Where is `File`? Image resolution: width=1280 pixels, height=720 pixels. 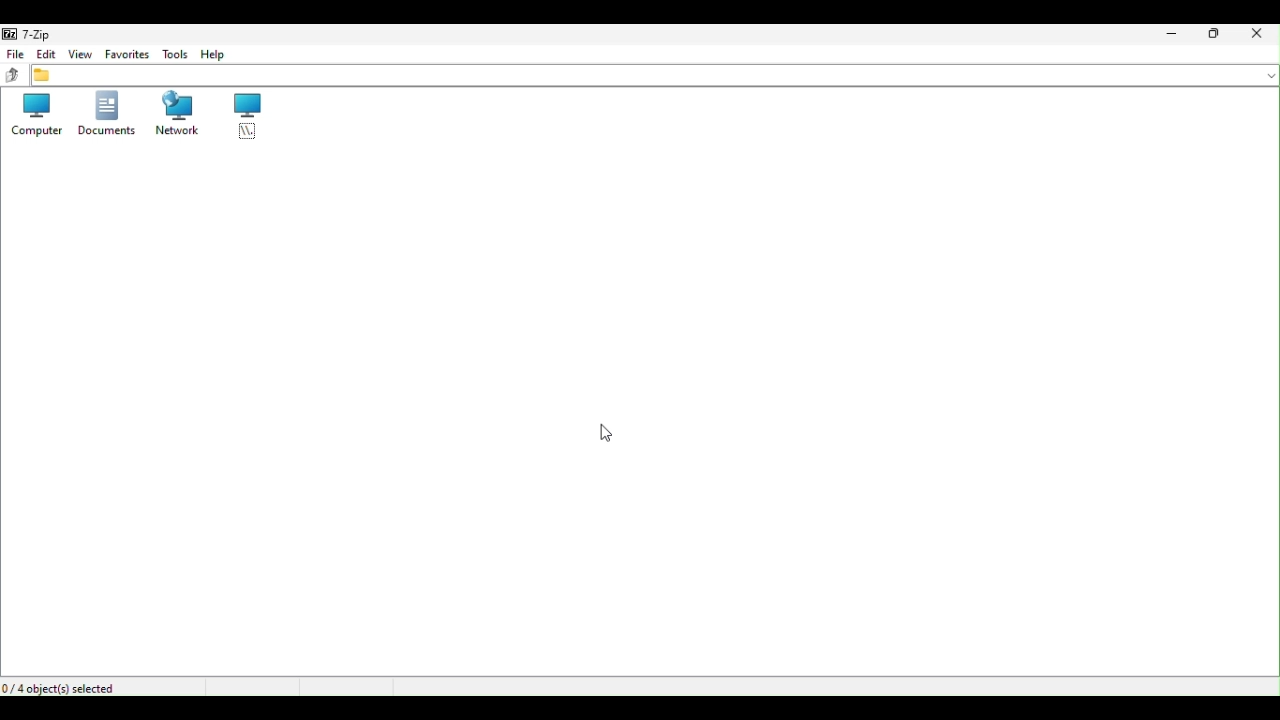 File is located at coordinates (16, 57).